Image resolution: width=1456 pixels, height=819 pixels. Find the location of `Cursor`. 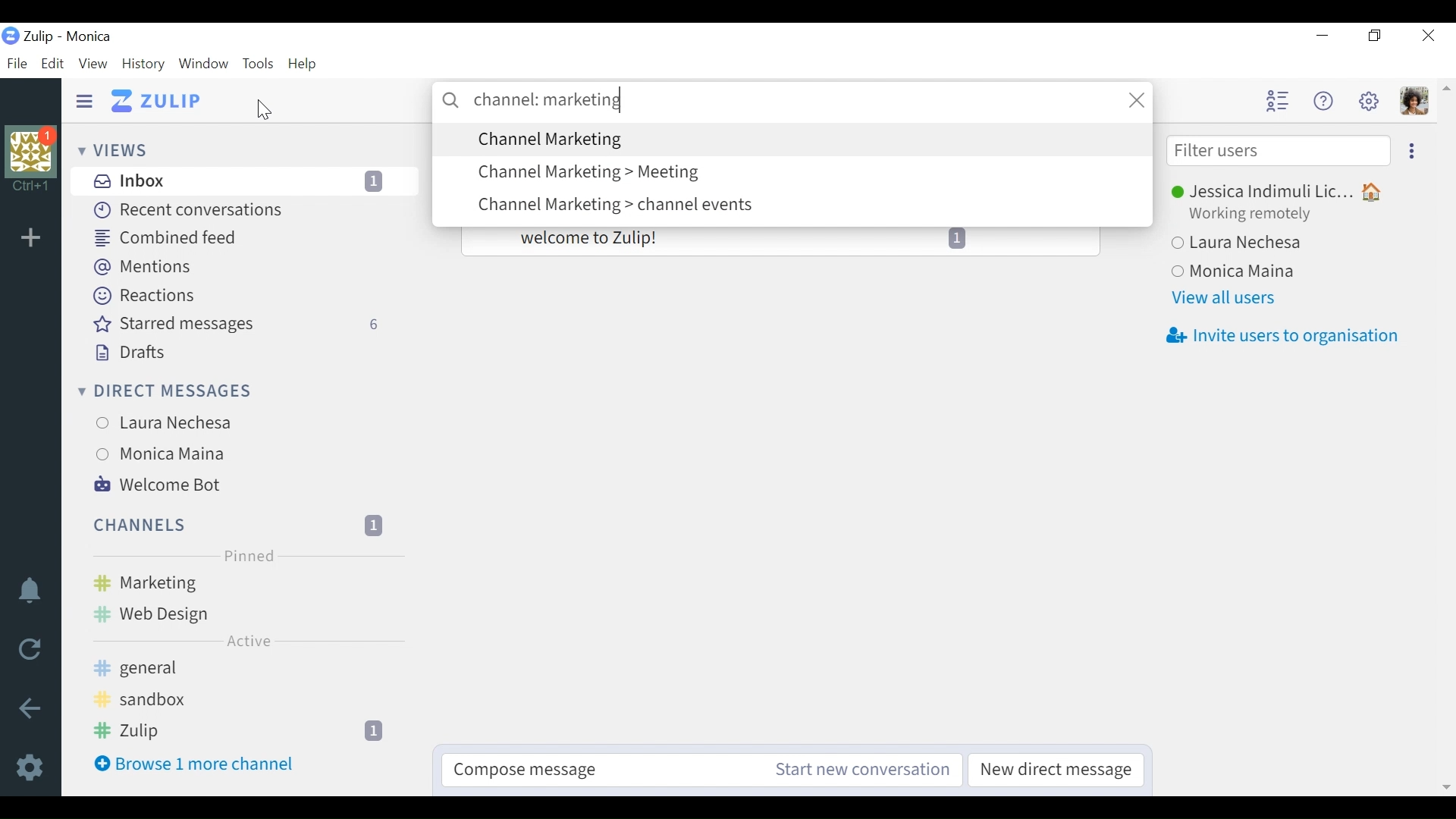

Cursor is located at coordinates (263, 111).